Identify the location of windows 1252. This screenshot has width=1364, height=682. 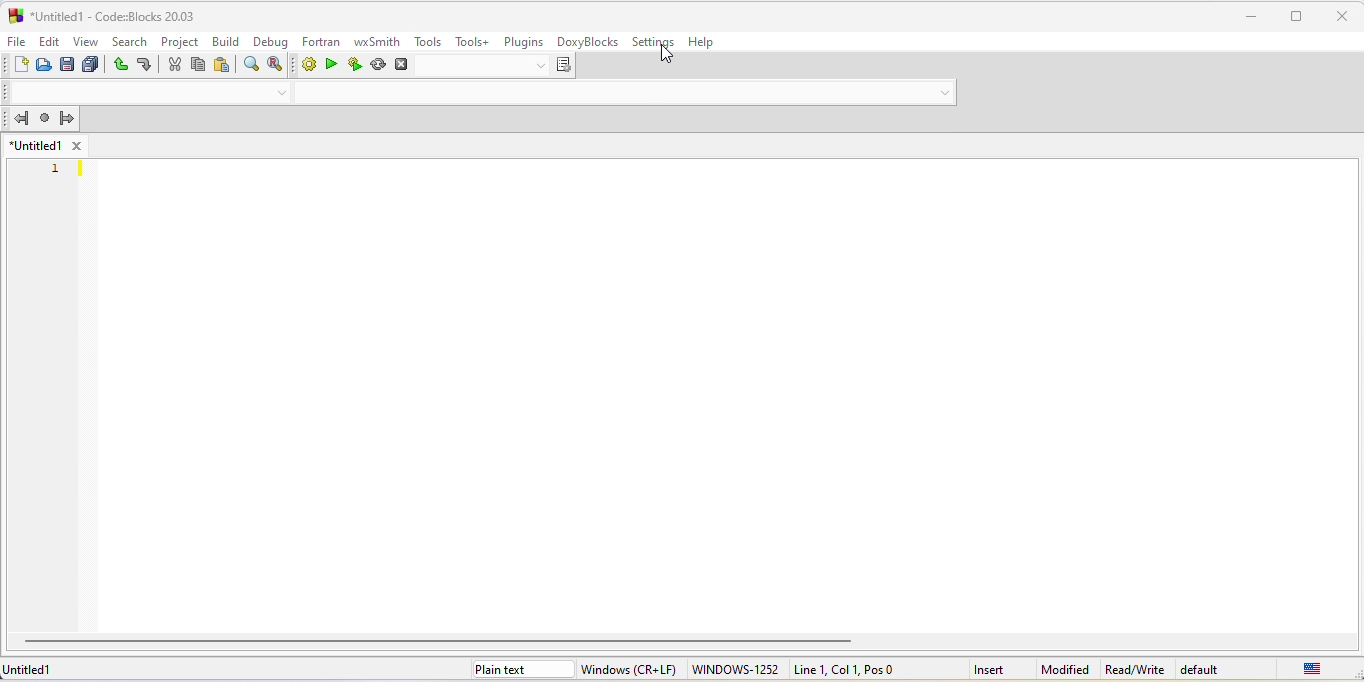
(737, 670).